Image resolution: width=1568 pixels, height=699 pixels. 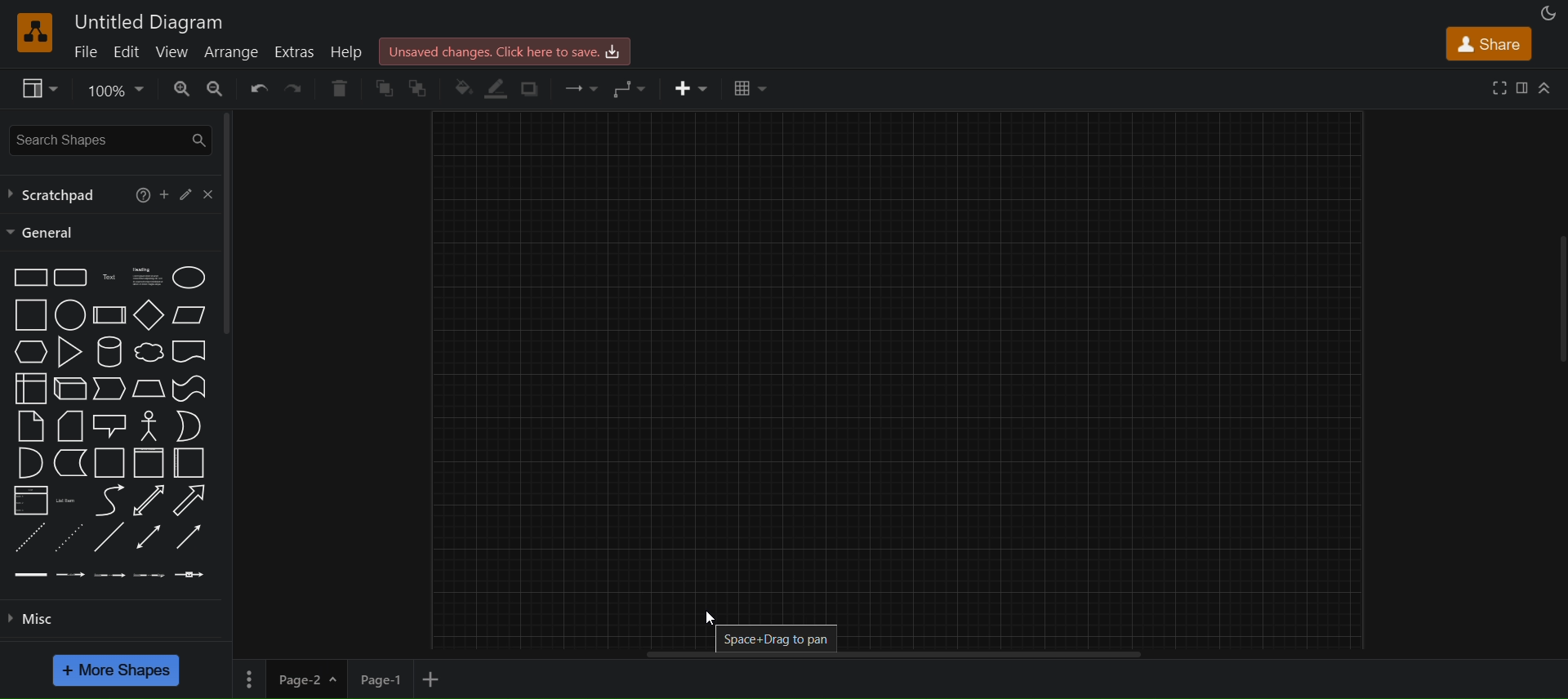 What do you see at coordinates (107, 537) in the screenshot?
I see `line` at bounding box center [107, 537].